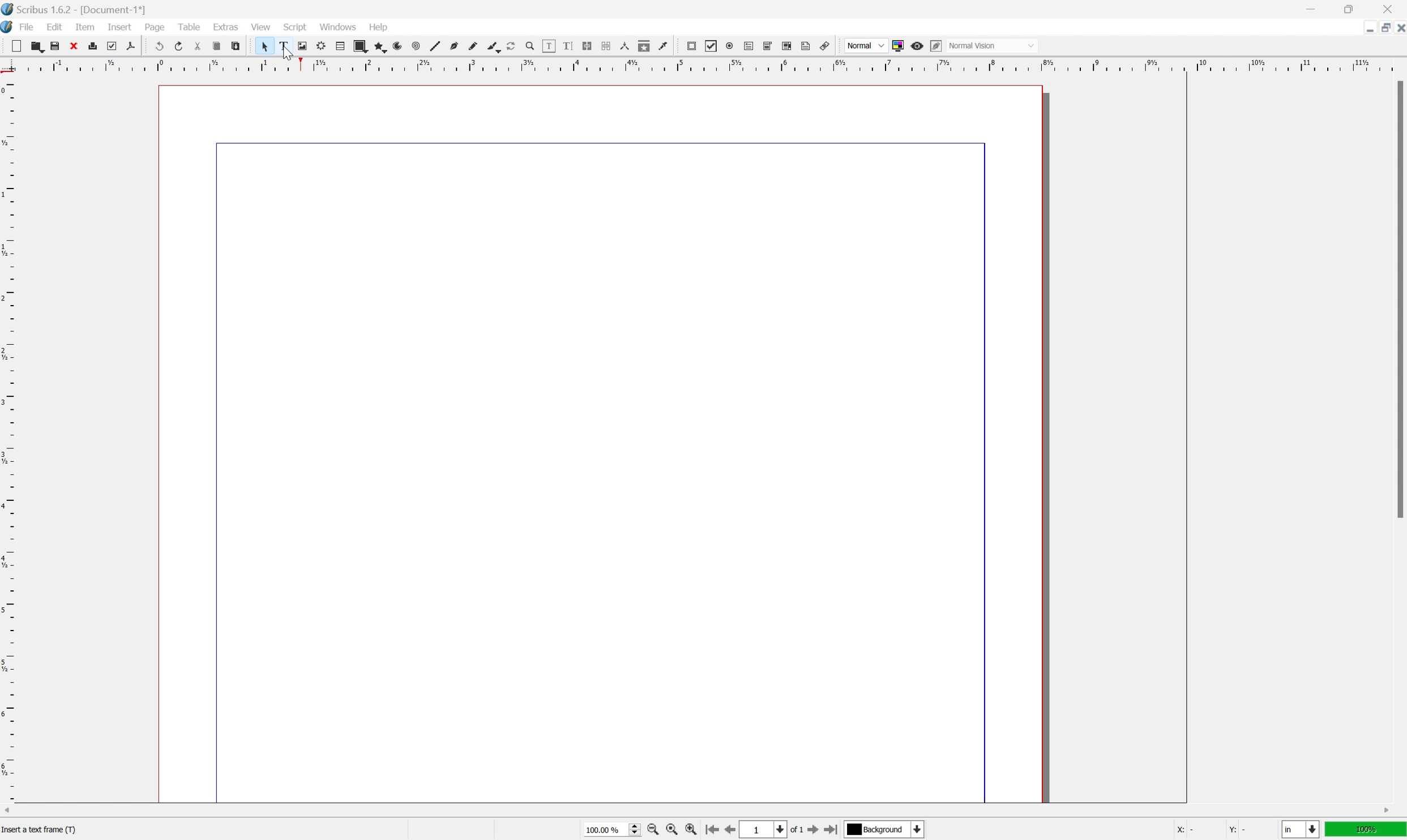  What do you see at coordinates (567, 45) in the screenshot?
I see `edit text with story editor` at bounding box center [567, 45].